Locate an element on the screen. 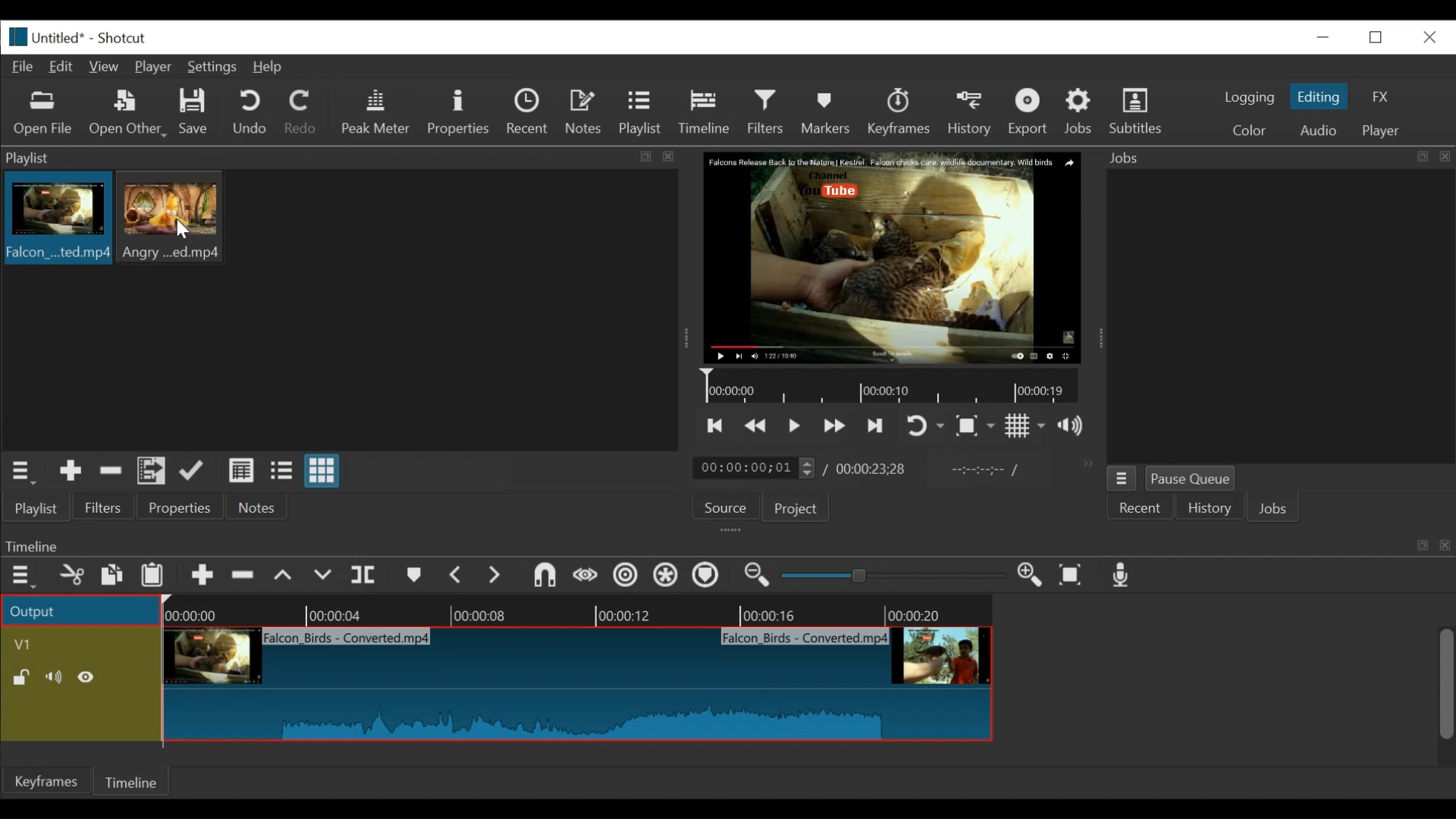  restore is located at coordinates (1380, 36).